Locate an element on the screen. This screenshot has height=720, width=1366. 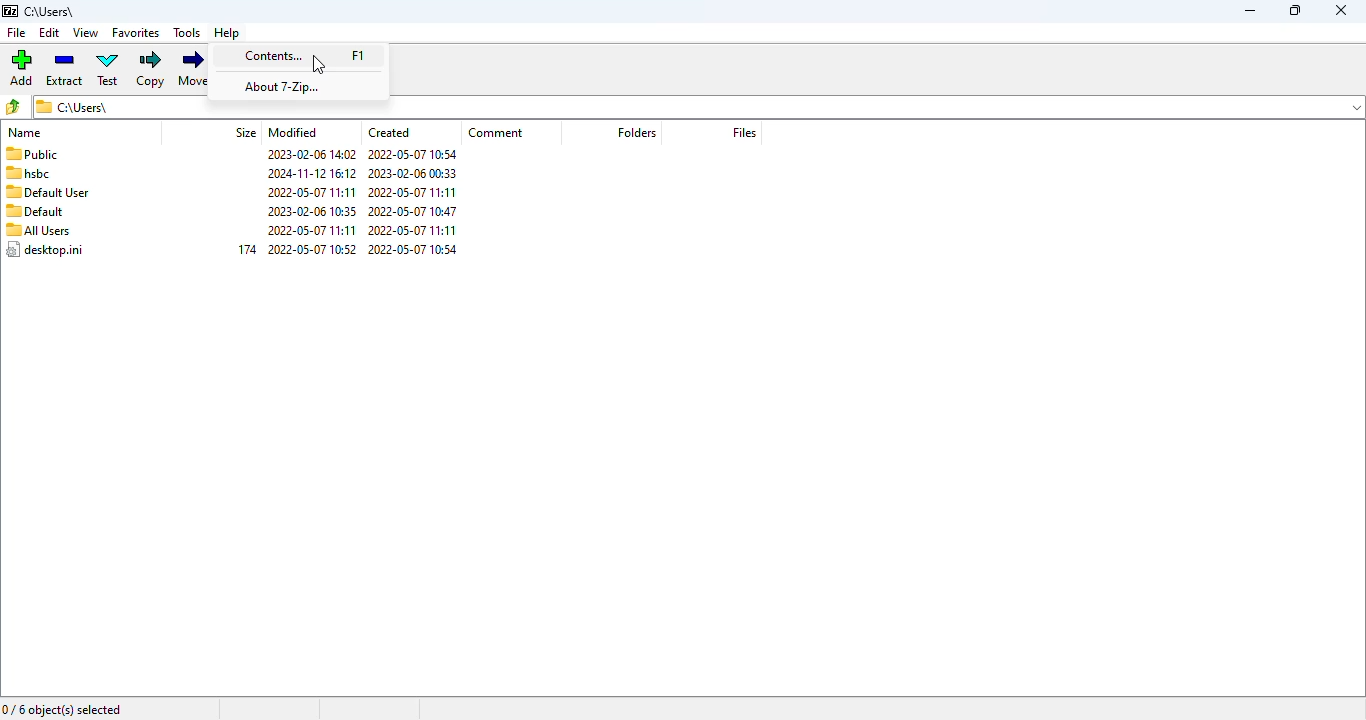
favorites is located at coordinates (136, 33).